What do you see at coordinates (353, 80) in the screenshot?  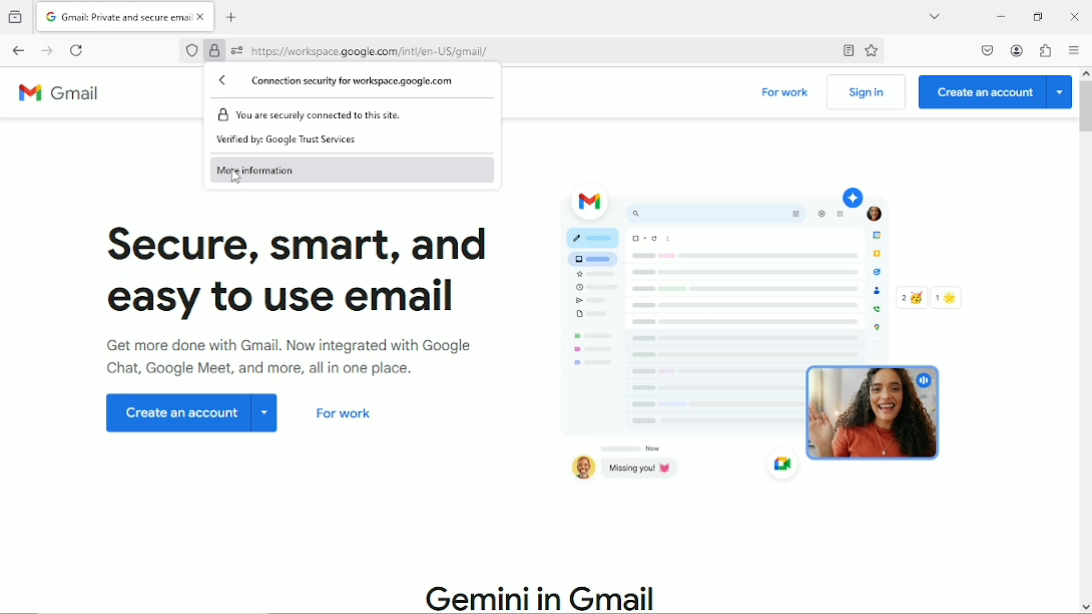 I see `Connection security for workspace.google.com` at bounding box center [353, 80].